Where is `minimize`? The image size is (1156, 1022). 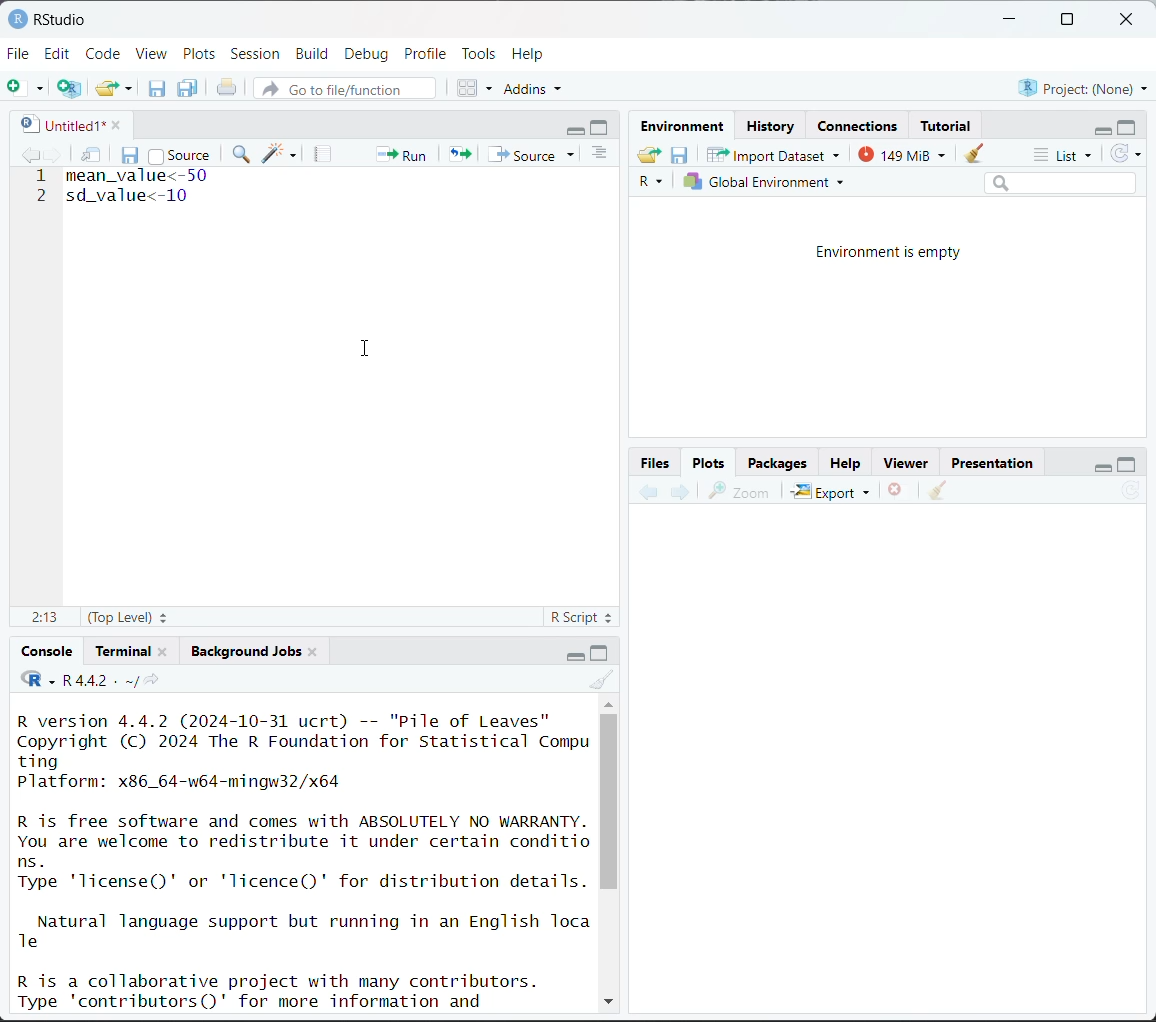 minimize is located at coordinates (1099, 128).